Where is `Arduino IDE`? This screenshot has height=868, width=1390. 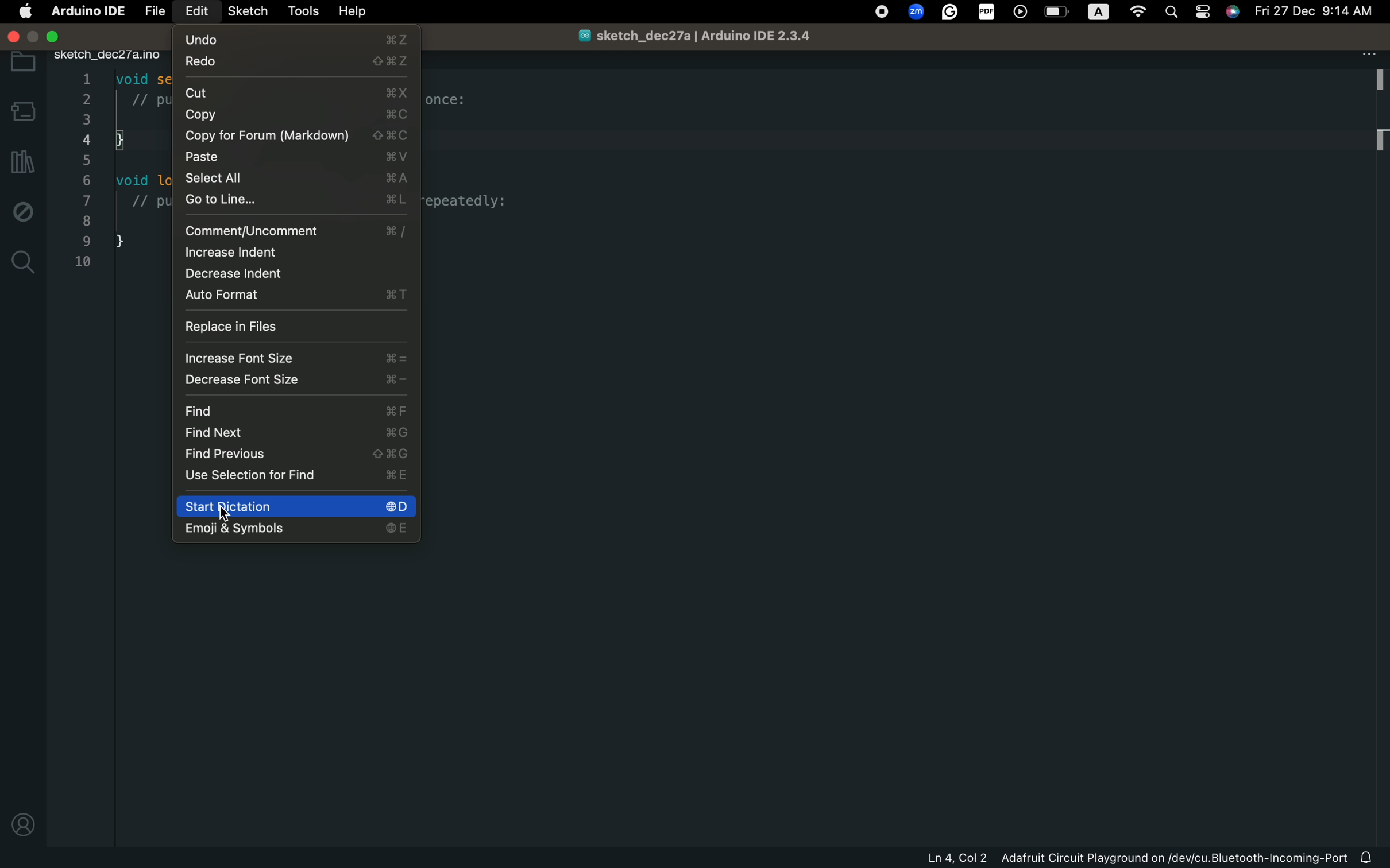
Arduino IDE is located at coordinates (87, 13).